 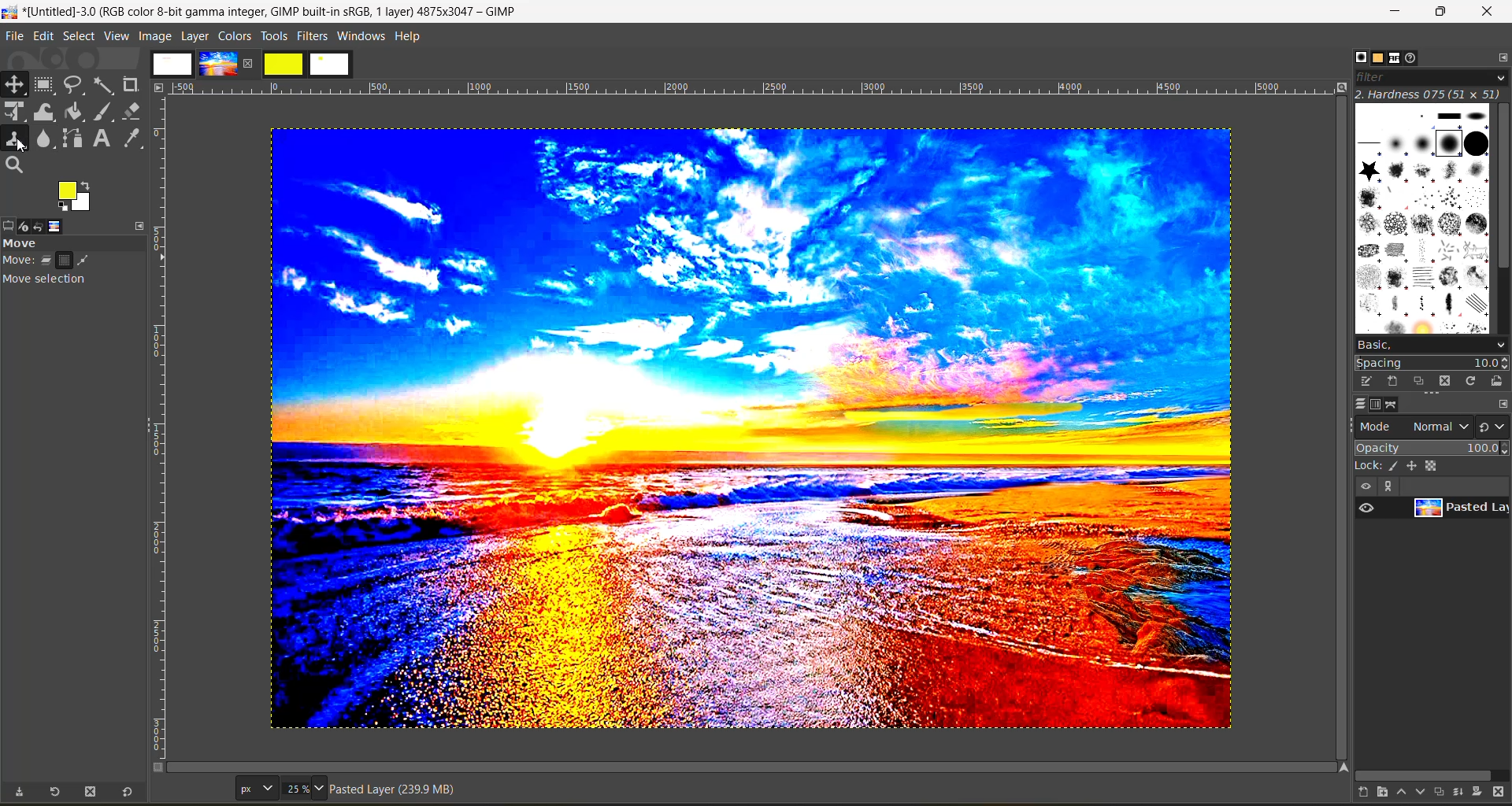 I want to click on background, so click(x=1435, y=465).